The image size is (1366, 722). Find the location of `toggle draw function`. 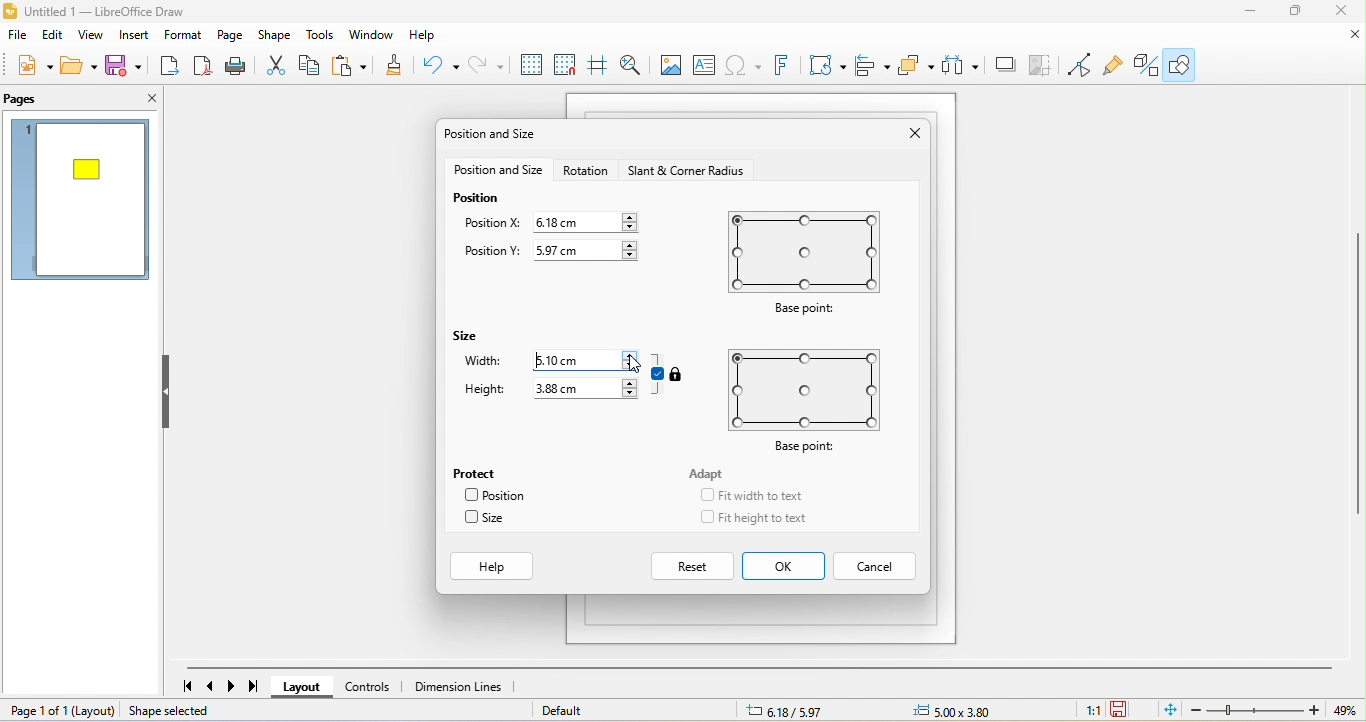

toggle draw function is located at coordinates (1144, 63).